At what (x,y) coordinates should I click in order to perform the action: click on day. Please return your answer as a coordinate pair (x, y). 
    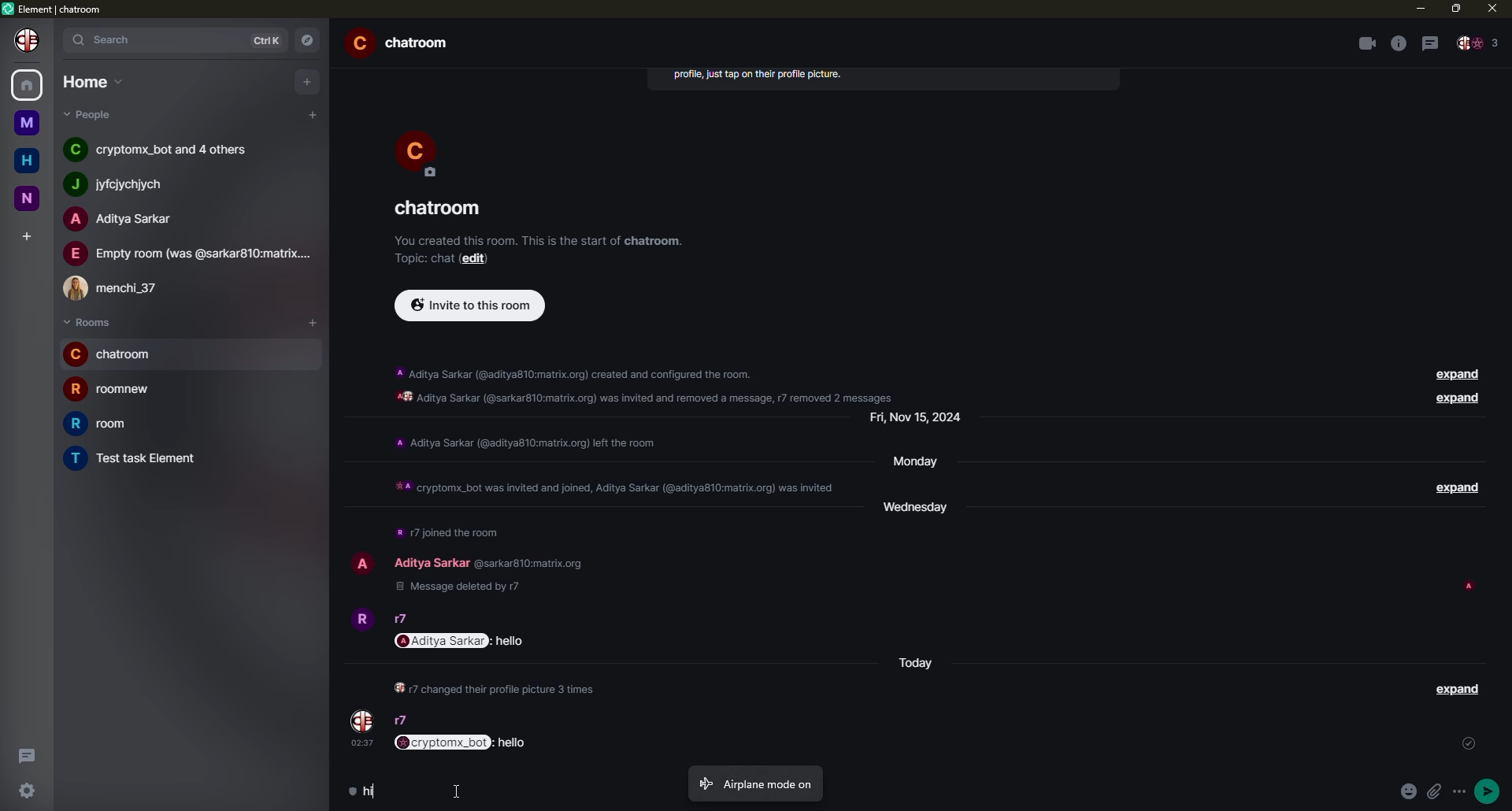
    Looking at the image, I should click on (914, 664).